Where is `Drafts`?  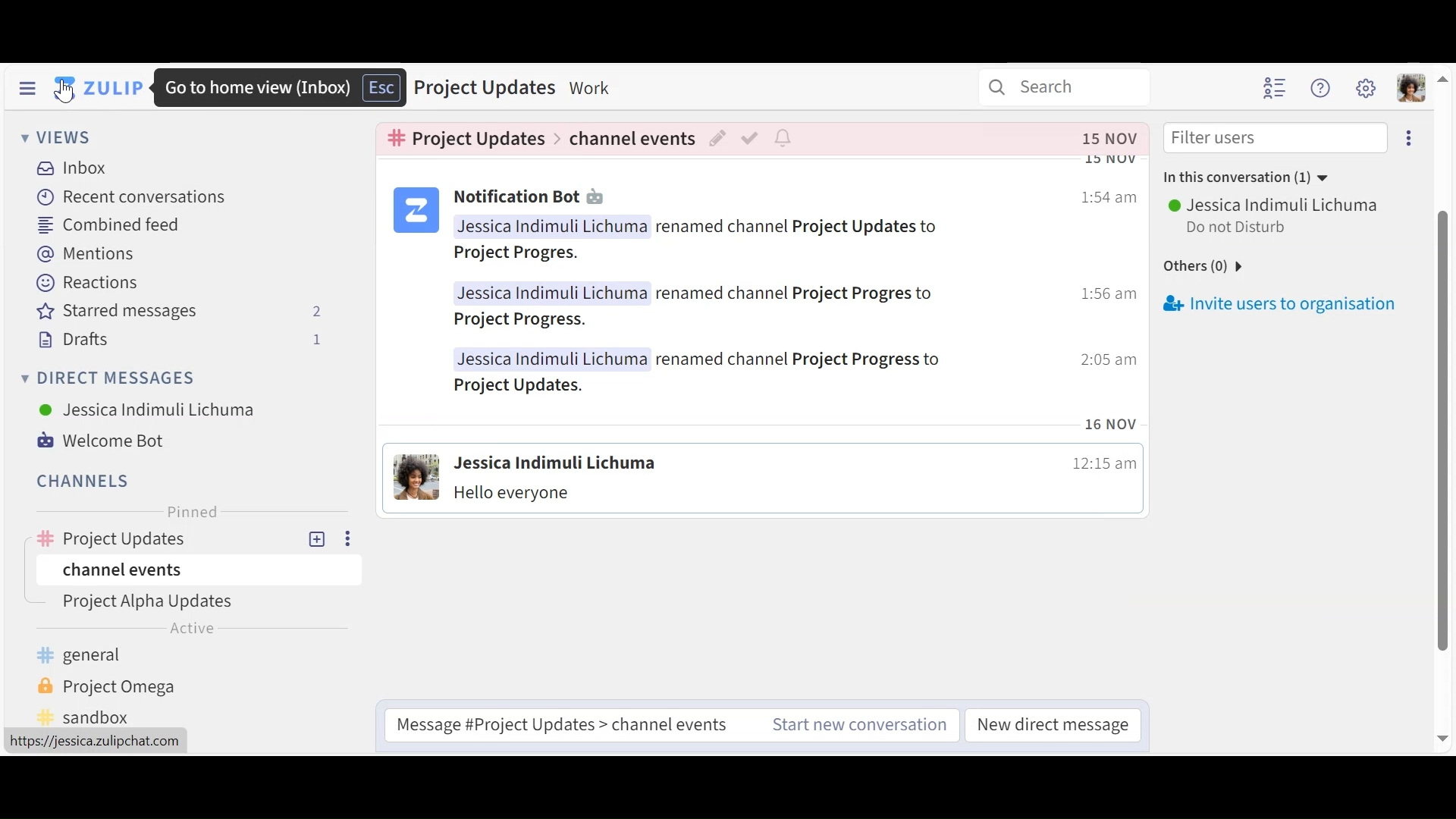 Drafts is located at coordinates (179, 340).